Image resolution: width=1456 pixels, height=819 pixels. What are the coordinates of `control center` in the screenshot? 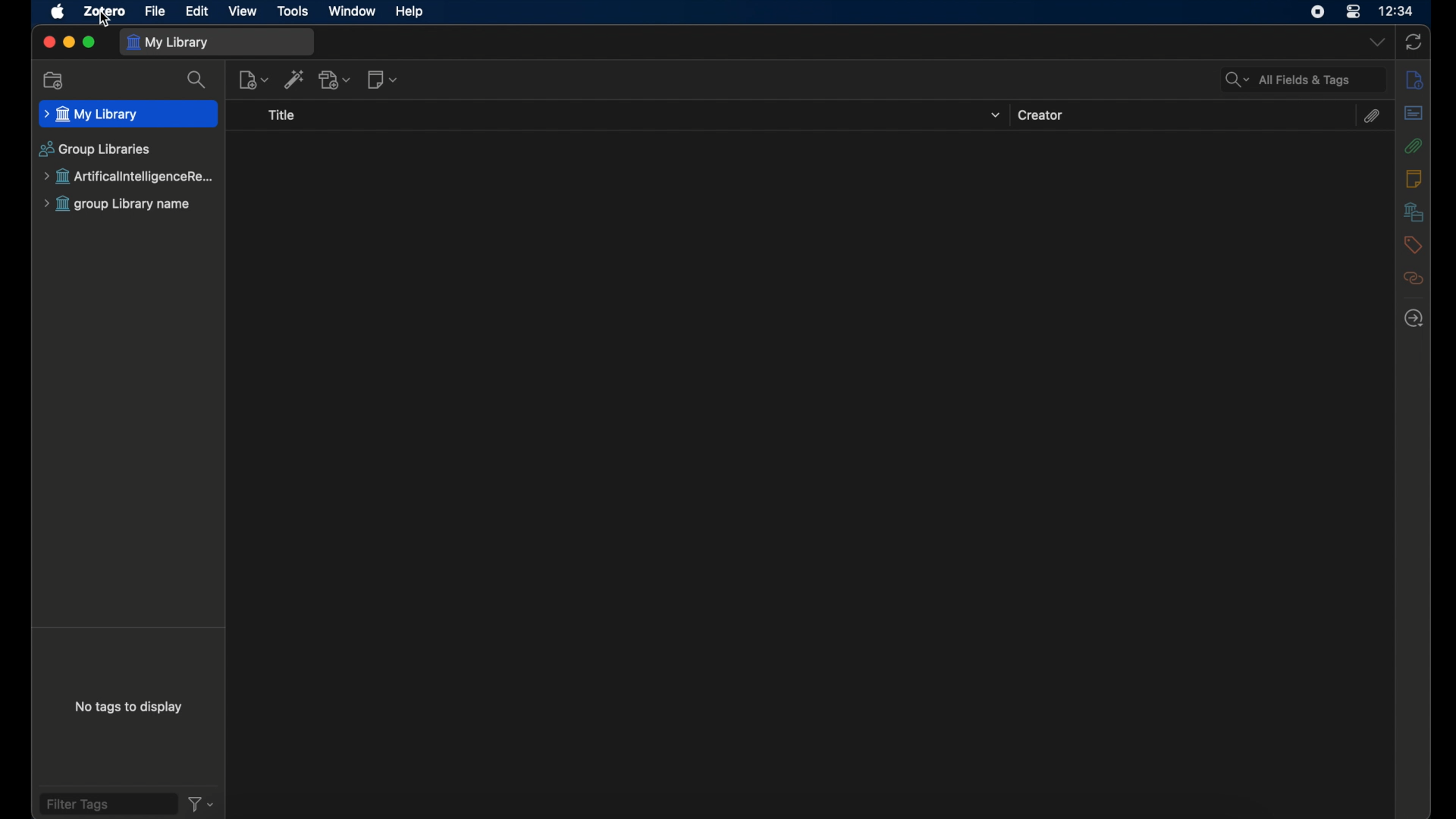 It's located at (1353, 12).